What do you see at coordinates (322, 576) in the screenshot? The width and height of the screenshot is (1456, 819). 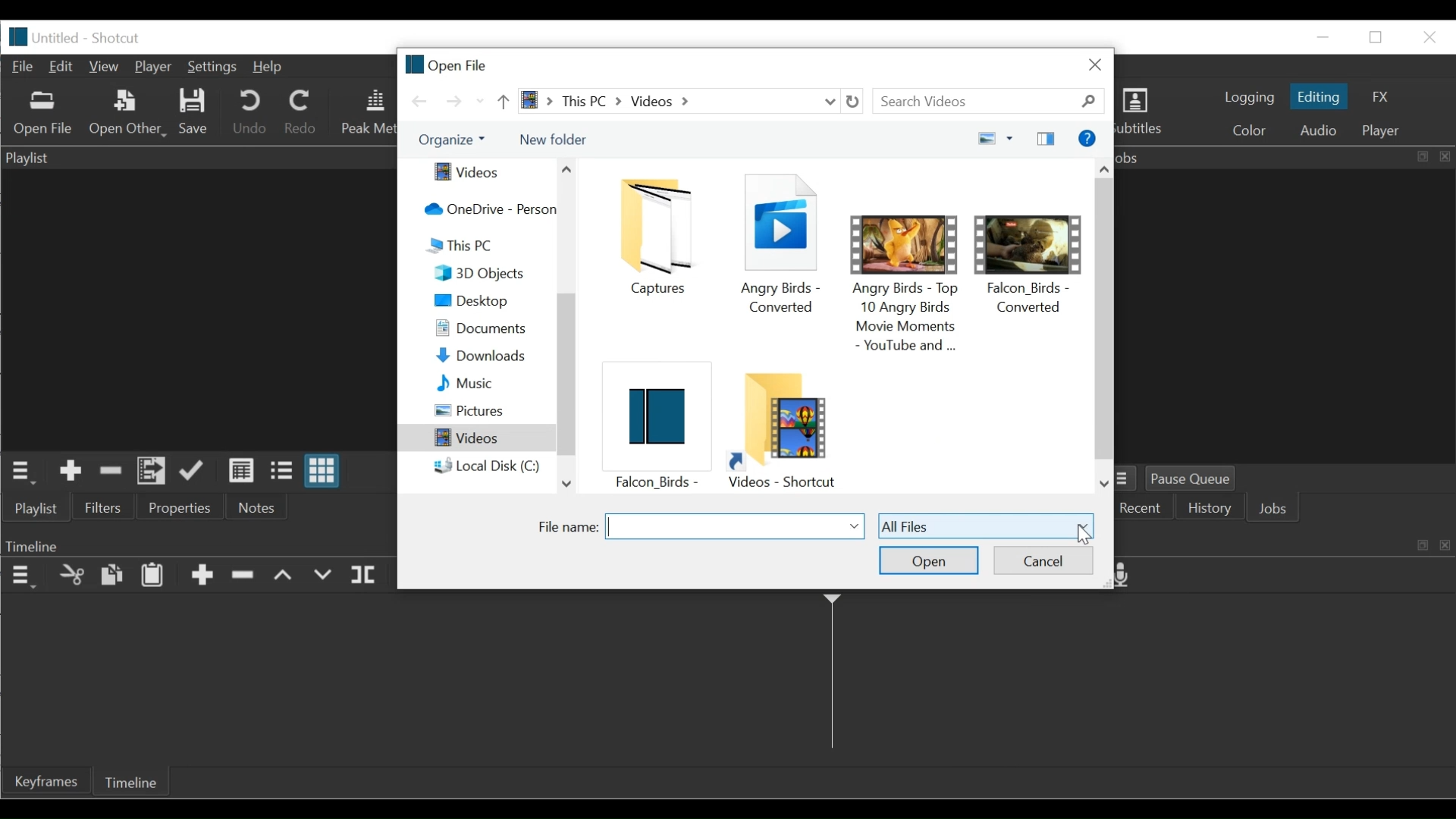 I see `Overwrite` at bounding box center [322, 576].